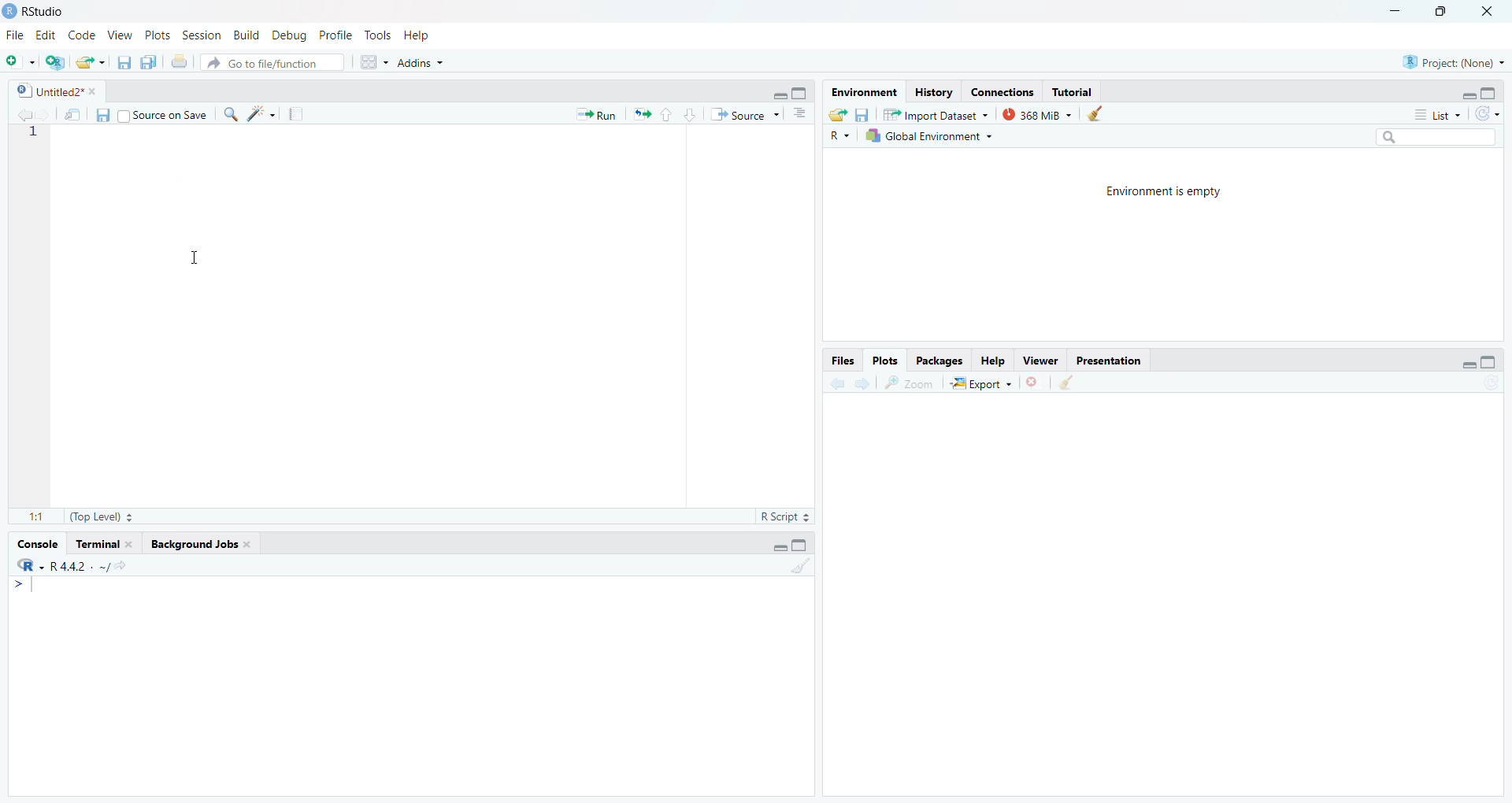 The image size is (1512, 803). I want to click on Session, so click(201, 35).